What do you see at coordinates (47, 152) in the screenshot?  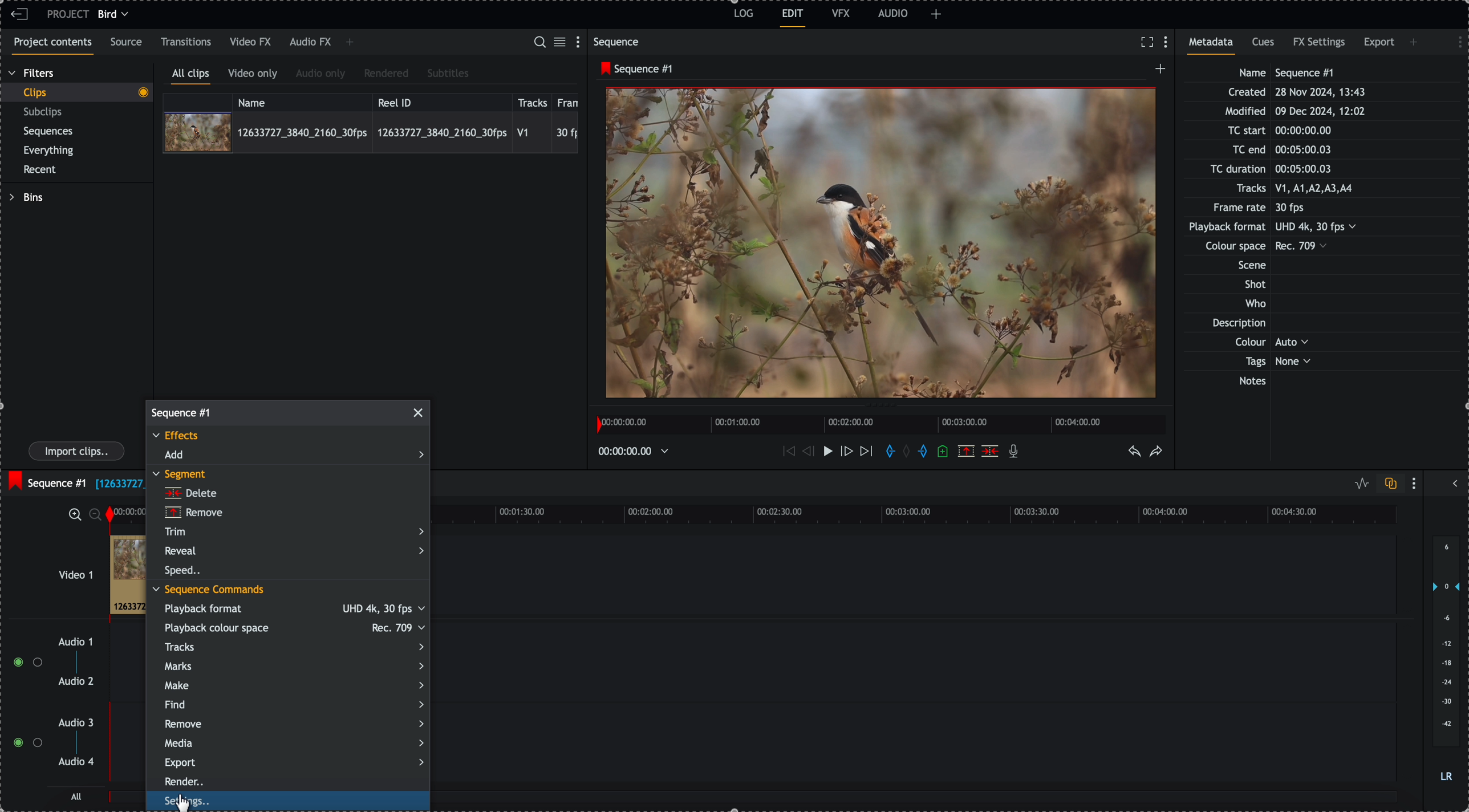 I see `` at bounding box center [47, 152].